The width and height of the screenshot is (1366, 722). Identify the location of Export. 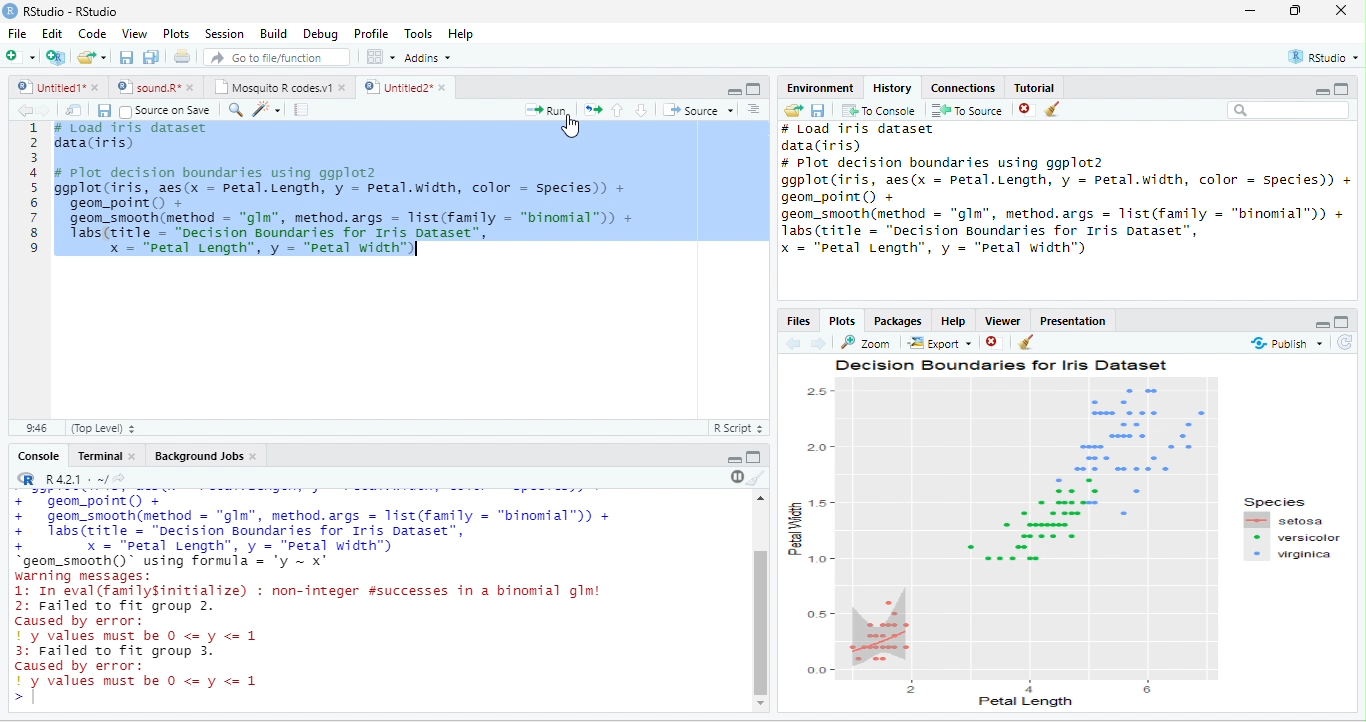
(940, 344).